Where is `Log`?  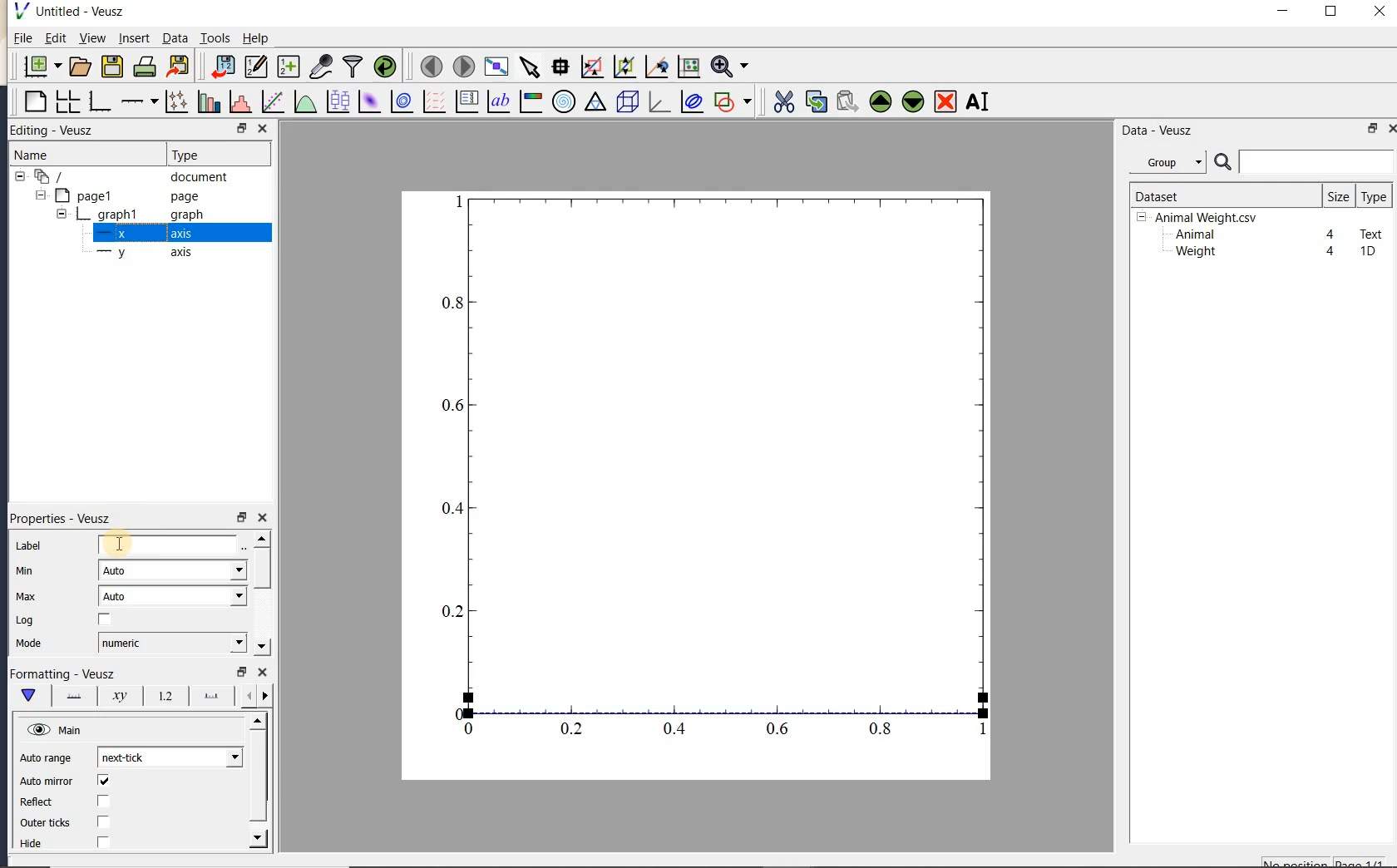
Log is located at coordinates (25, 620).